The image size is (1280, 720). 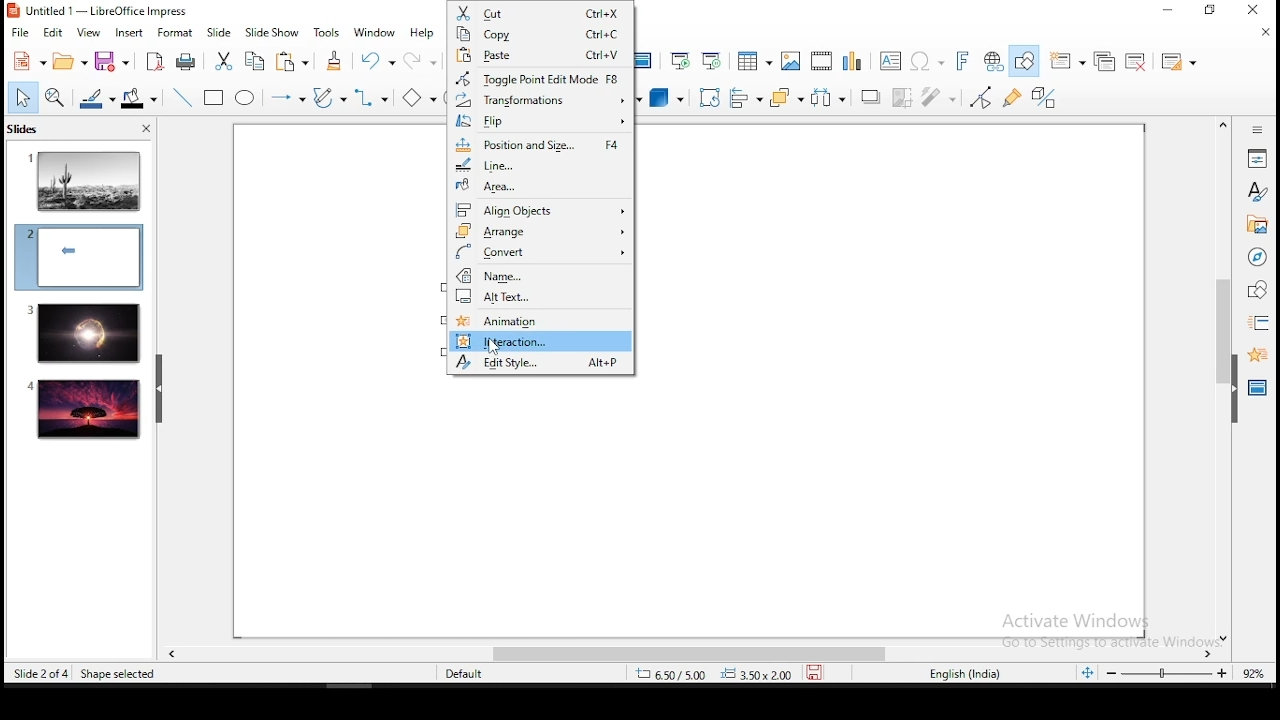 What do you see at coordinates (1087, 674) in the screenshot?
I see `fit to screen` at bounding box center [1087, 674].